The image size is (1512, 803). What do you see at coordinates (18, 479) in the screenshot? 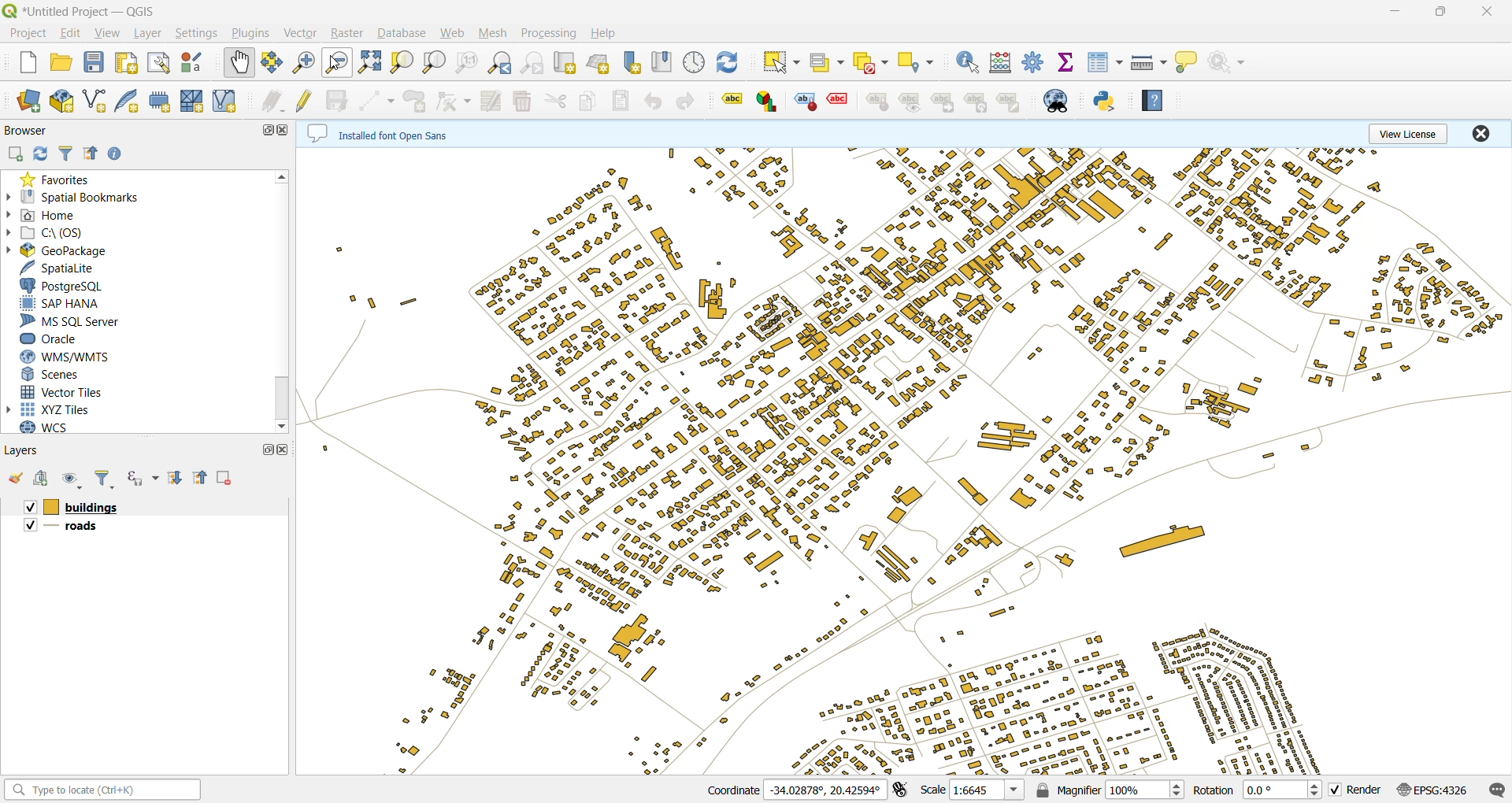
I see `open` at bounding box center [18, 479].